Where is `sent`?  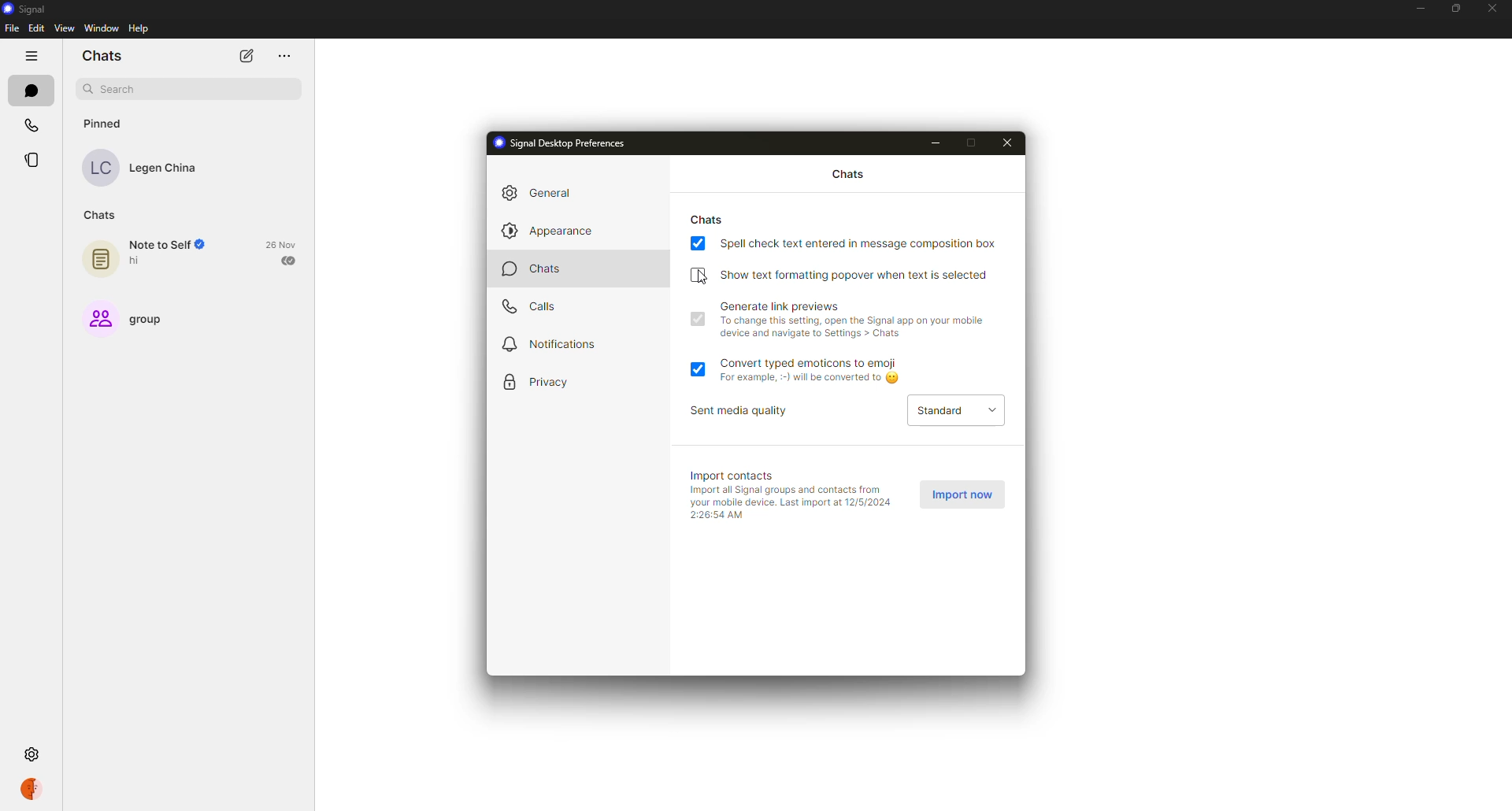
sent is located at coordinates (291, 260).